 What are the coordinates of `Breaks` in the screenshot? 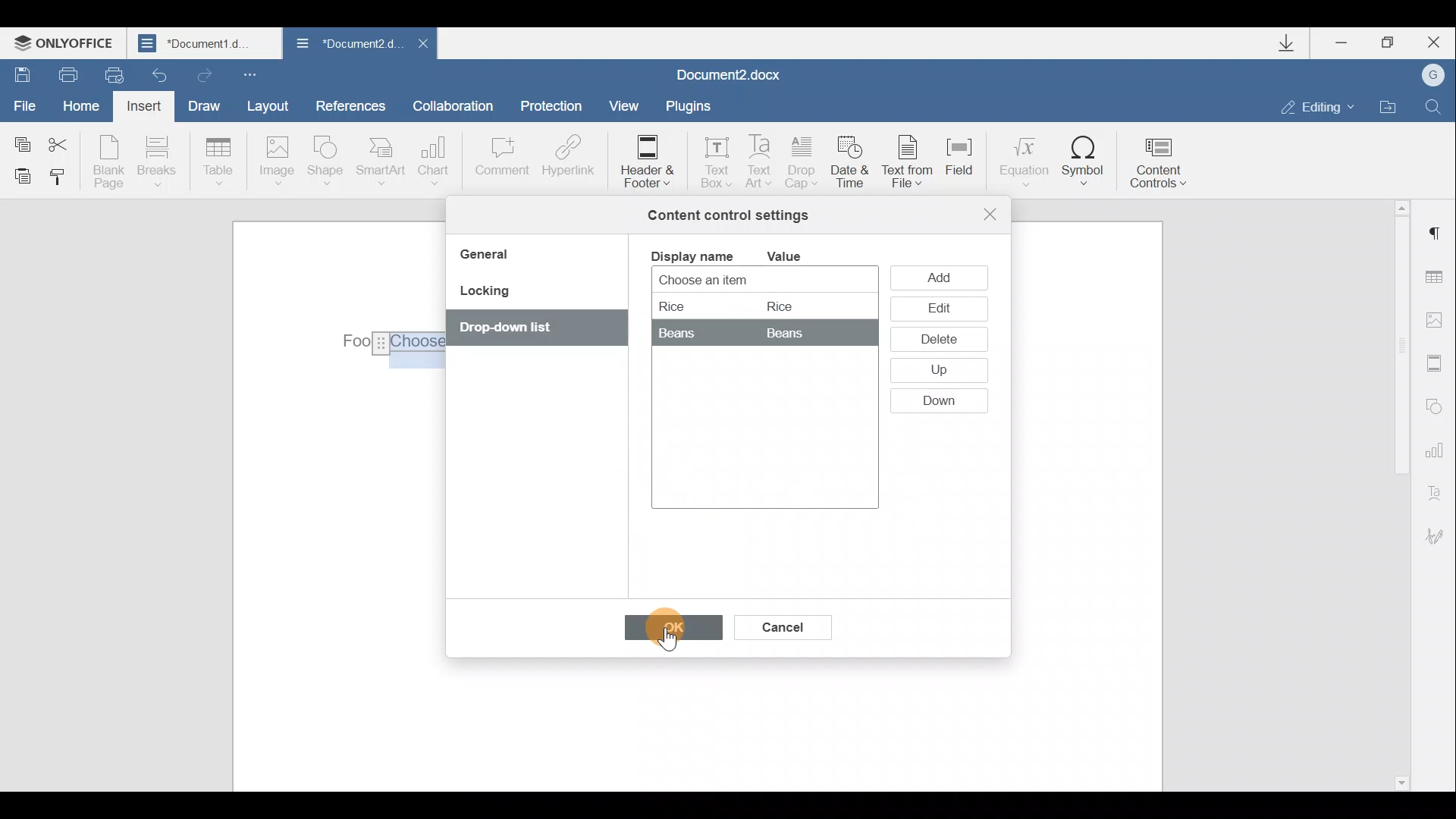 It's located at (155, 165).